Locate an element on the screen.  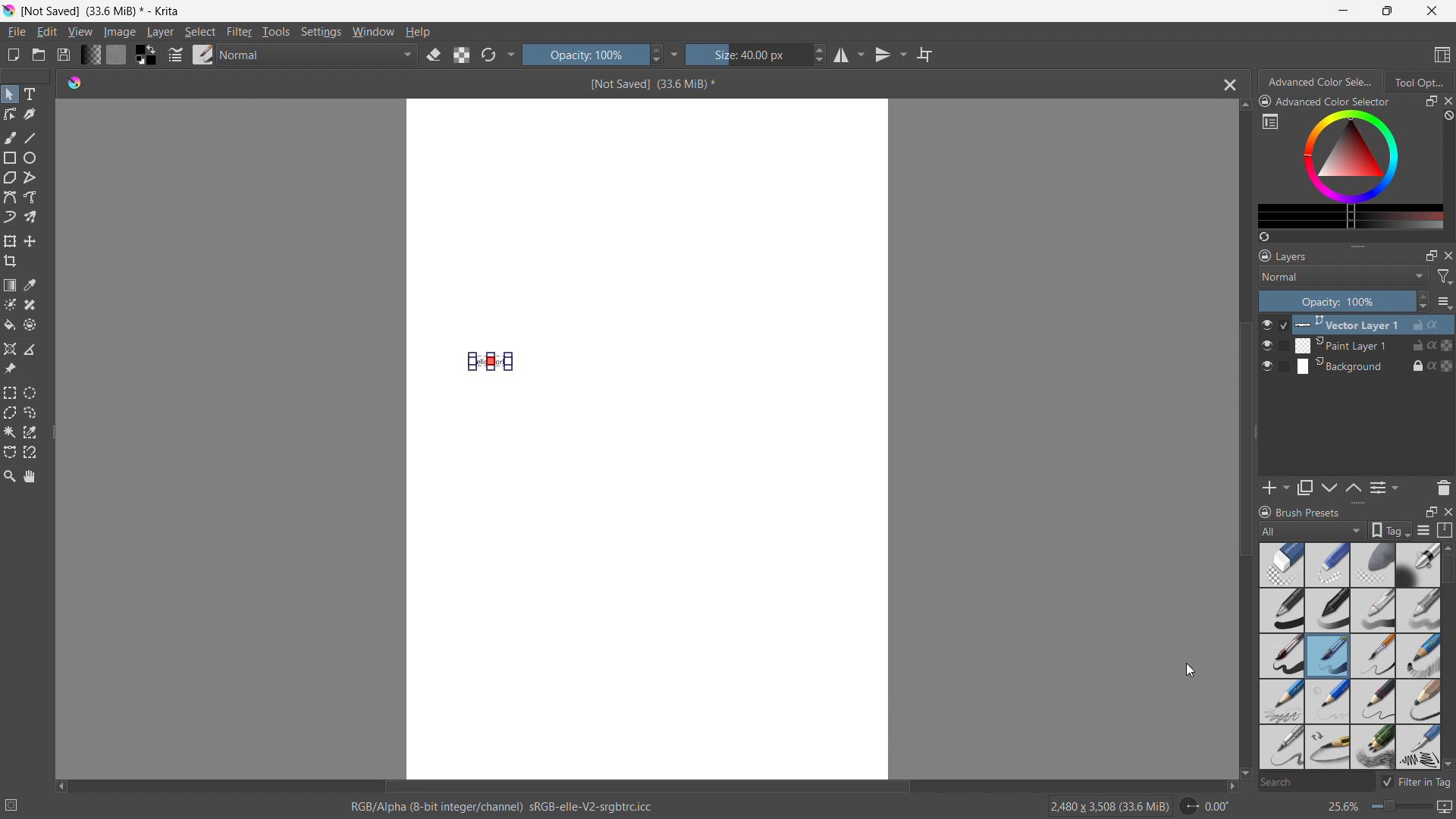
delete layer is located at coordinates (1443, 487).